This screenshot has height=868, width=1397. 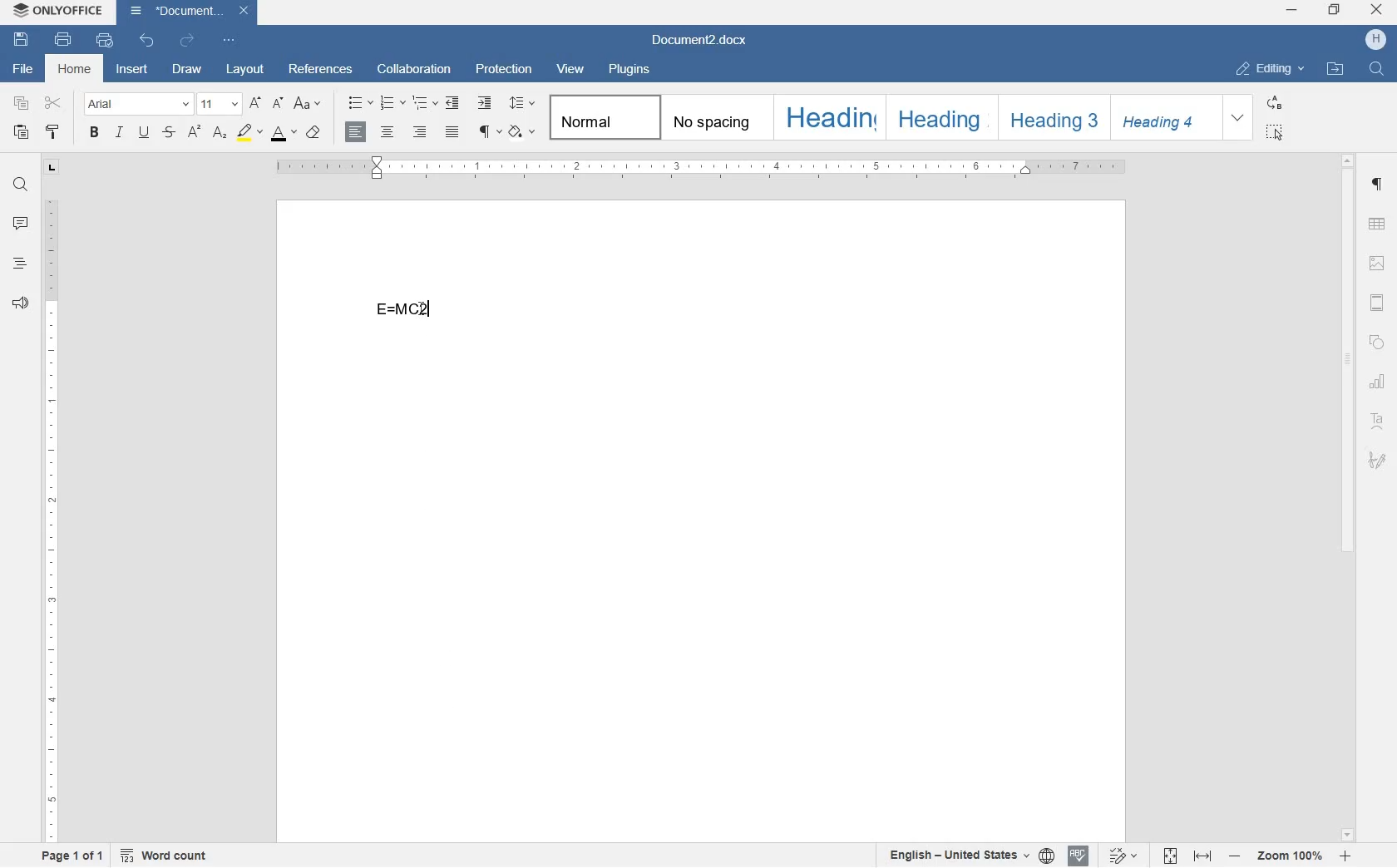 What do you see at coordinates (520, 132) in the screenshot?
I see `shading` at bounding box center [520, 132].